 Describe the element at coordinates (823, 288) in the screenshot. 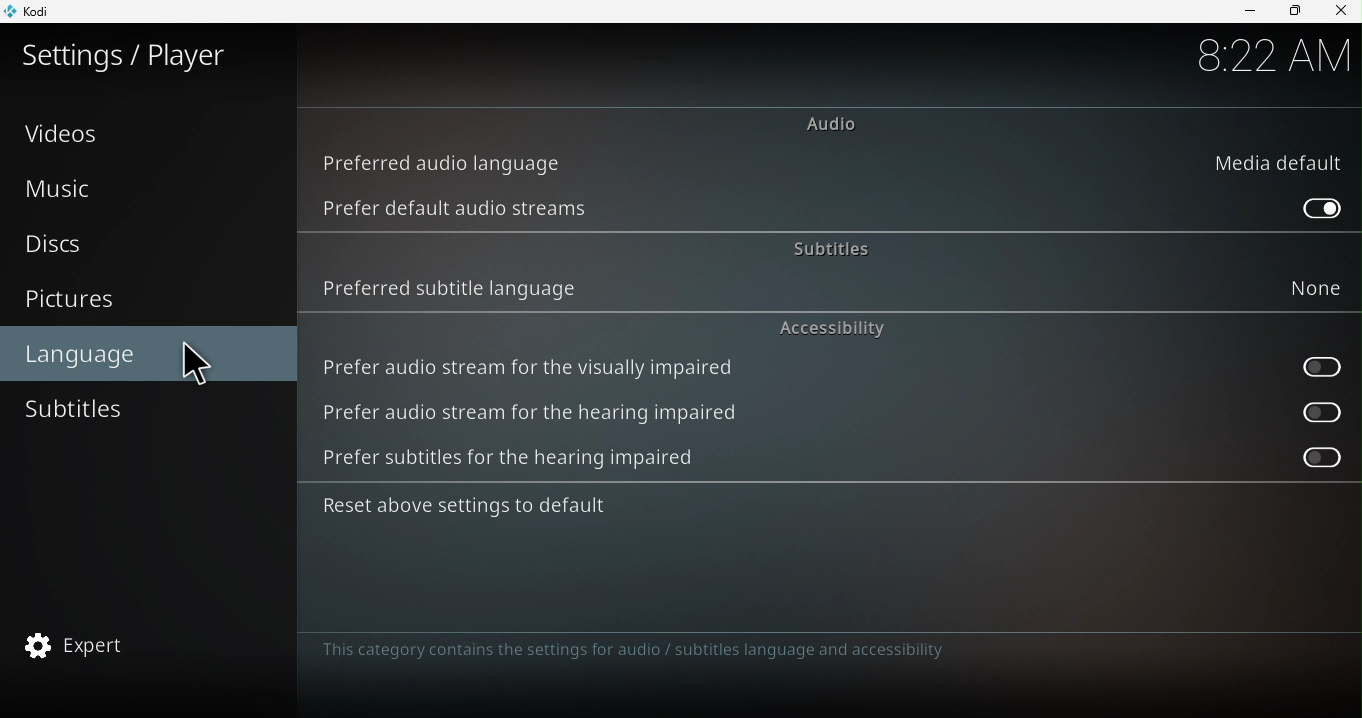

I see `Preferred subtitle language : None` at that location.